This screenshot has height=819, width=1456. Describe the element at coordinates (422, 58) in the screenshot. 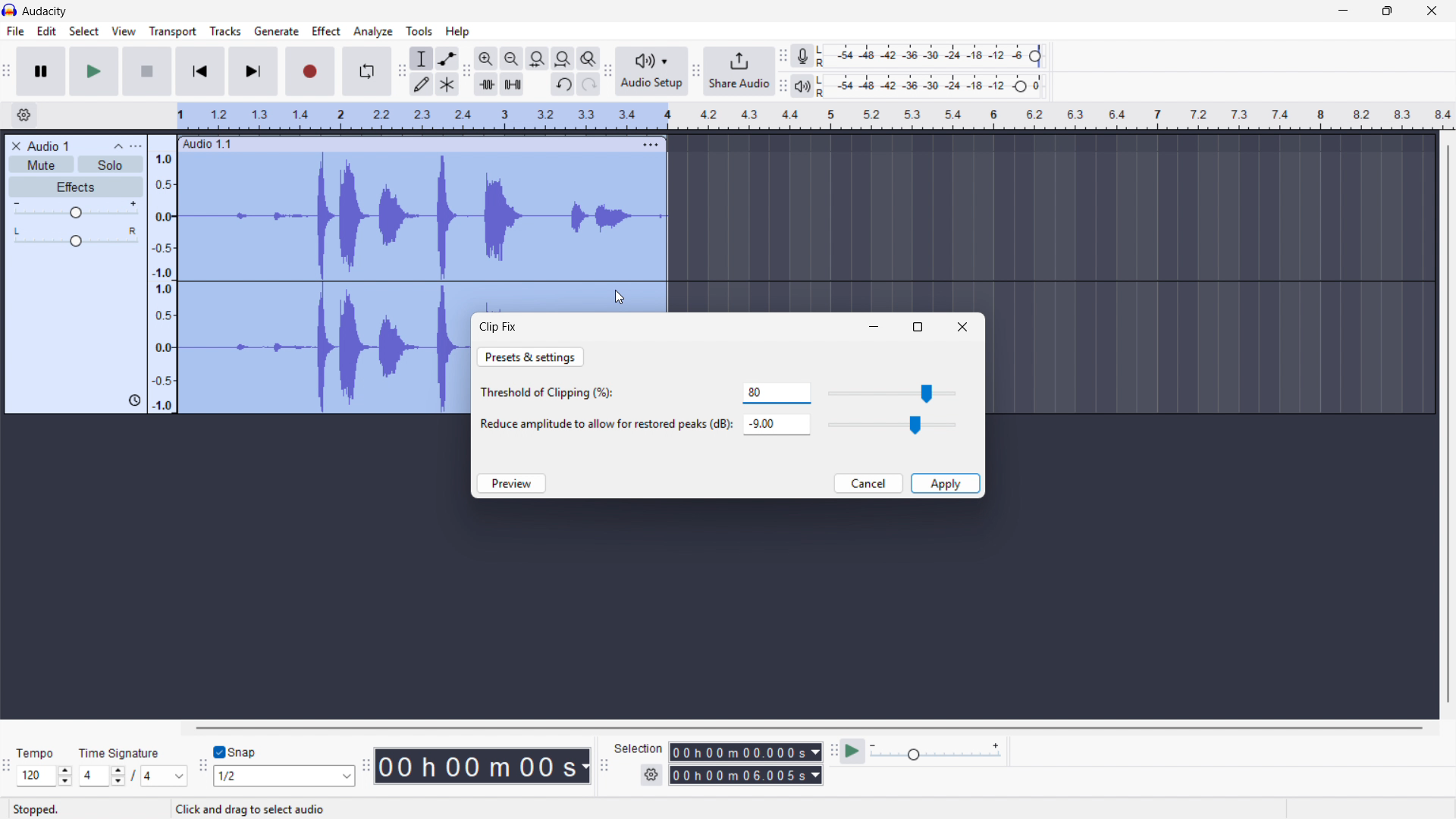

I see `Selection tool` at that location.